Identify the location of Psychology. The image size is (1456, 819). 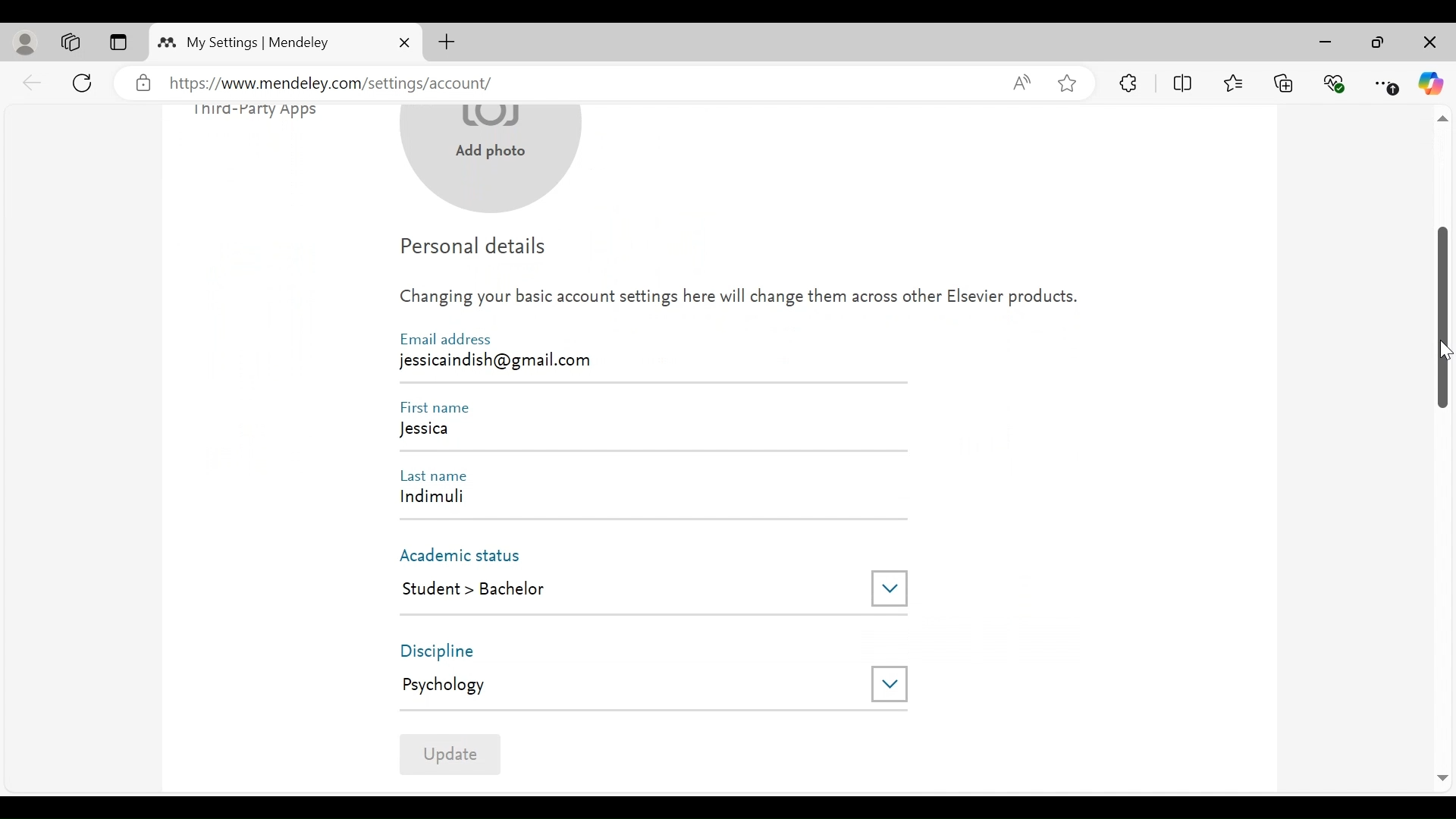
(630, 685).